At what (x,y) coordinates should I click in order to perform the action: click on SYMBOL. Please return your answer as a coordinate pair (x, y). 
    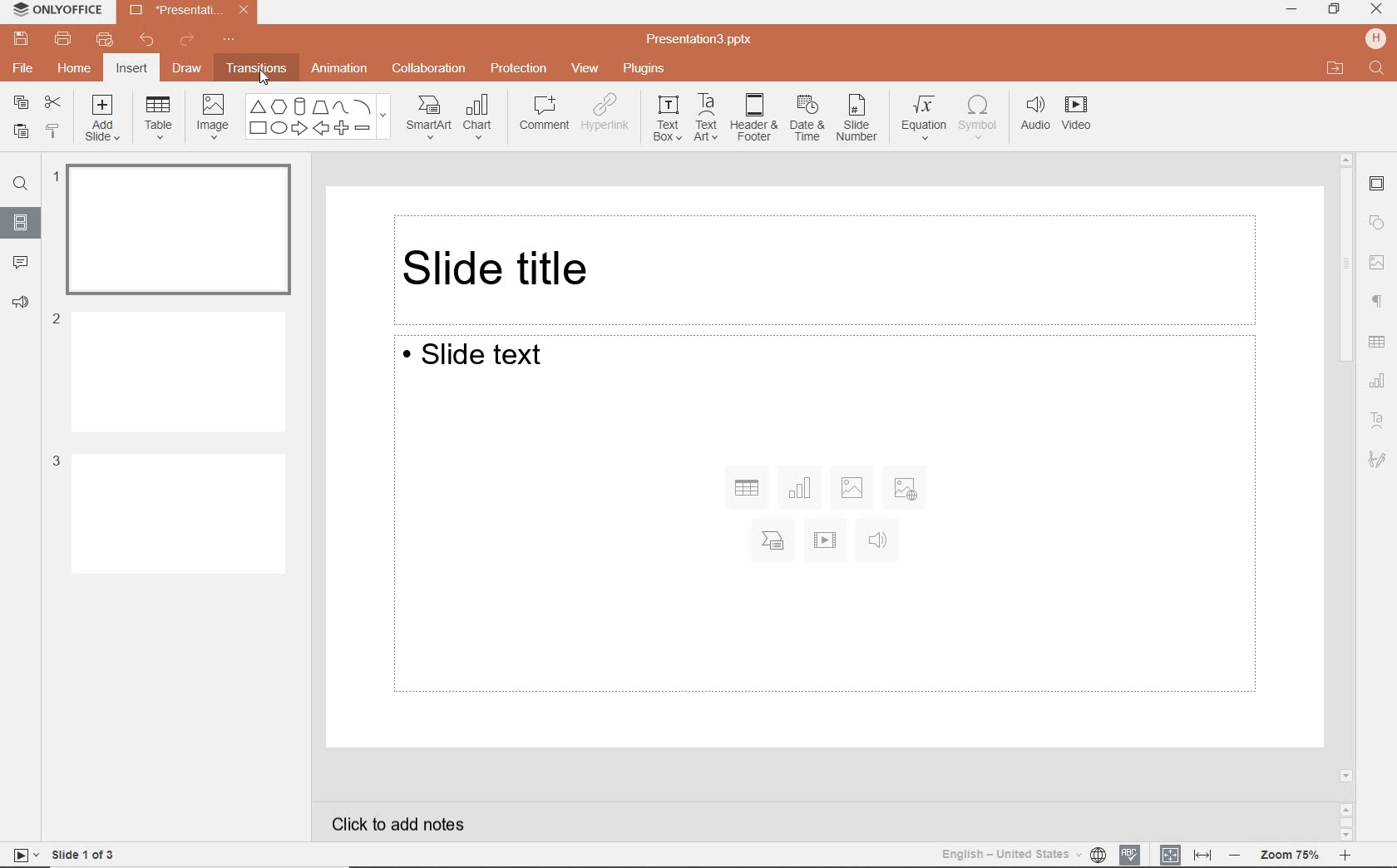
    Looking at the image, I should click on (979, 116).